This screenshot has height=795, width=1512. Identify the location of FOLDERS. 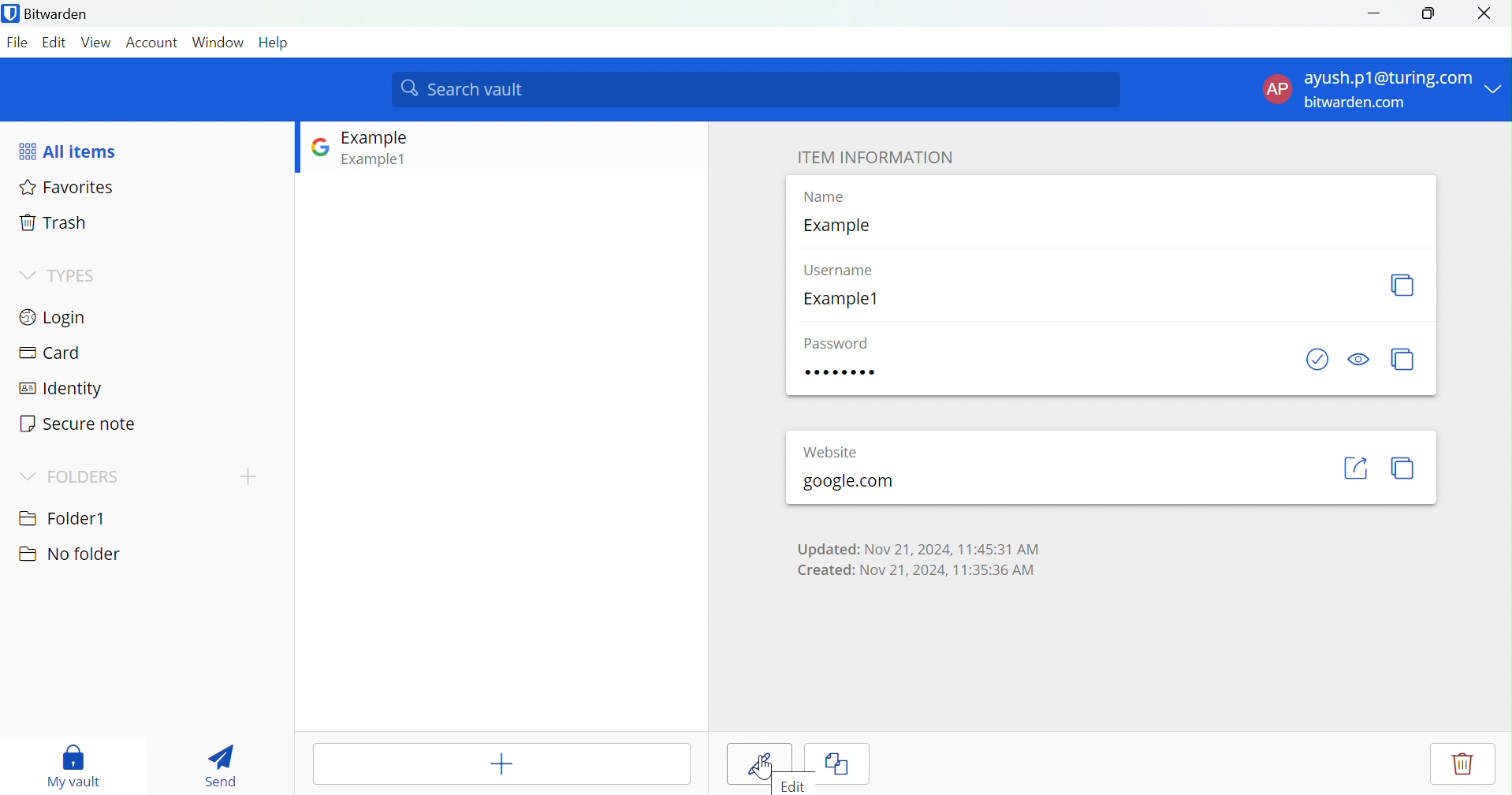
(84, 478).